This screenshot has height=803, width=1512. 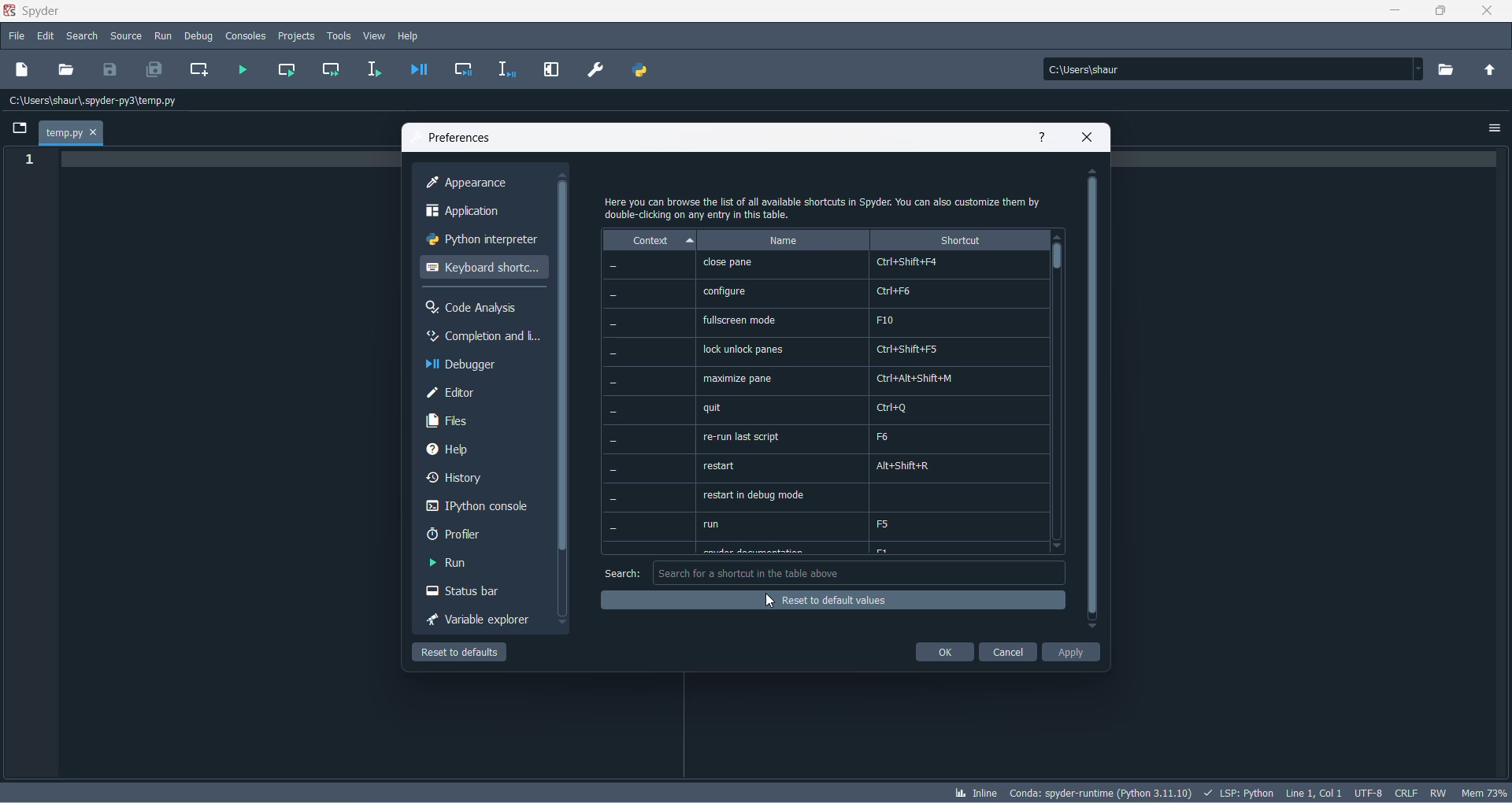 What do you see at coordinates (1059, 237) in the screenshot?
I see `move up` at bounding box center [1059, 237].